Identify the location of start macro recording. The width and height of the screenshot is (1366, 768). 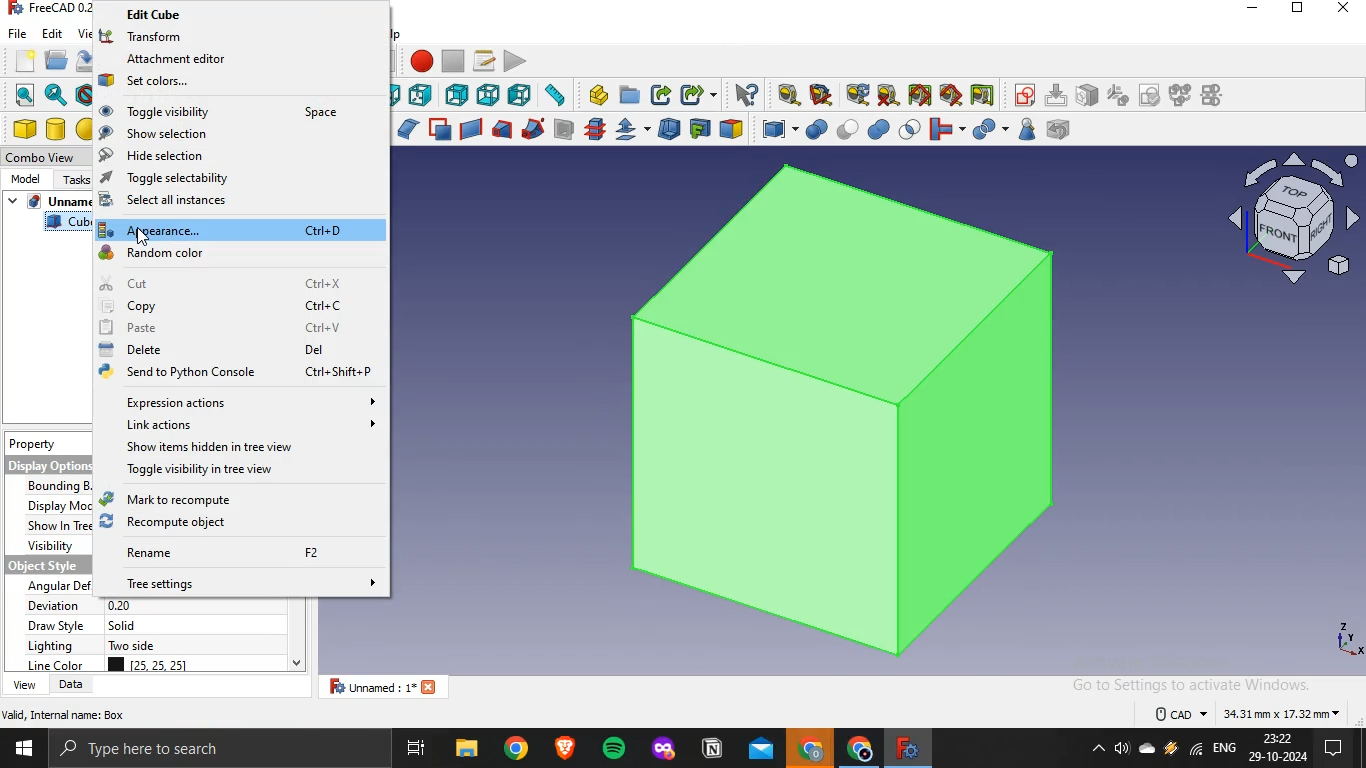
(421, 60).